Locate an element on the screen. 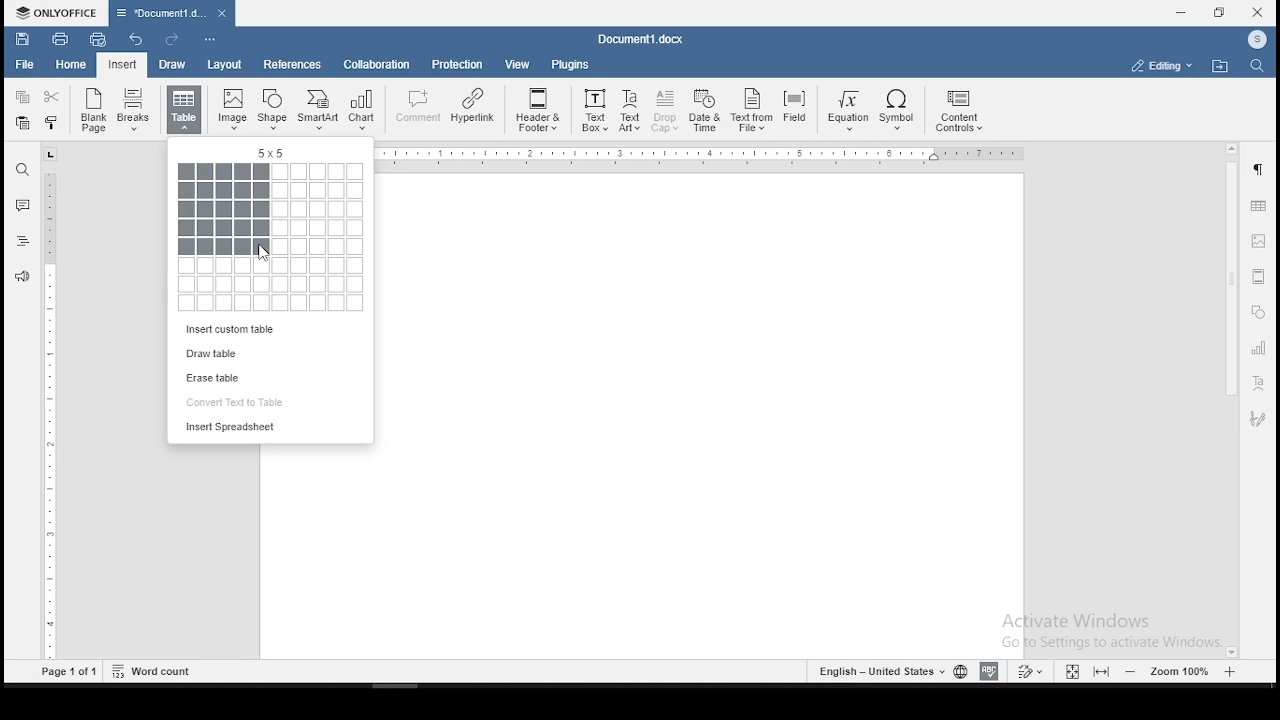 The height and width of the screenshot is (720, 1280). Text From File is located at coordinates (751, 112).